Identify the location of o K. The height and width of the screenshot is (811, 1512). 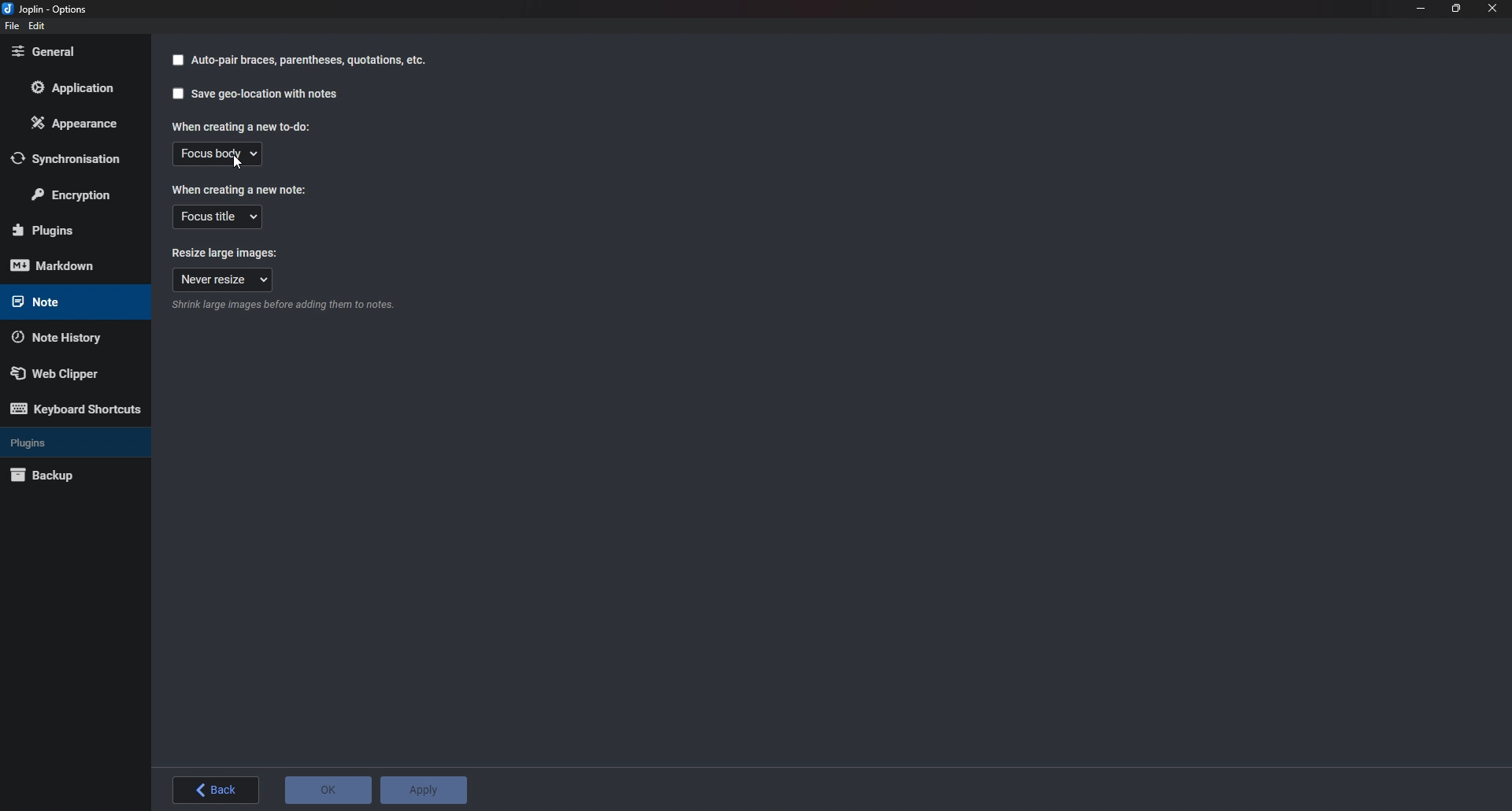
(328, 789).